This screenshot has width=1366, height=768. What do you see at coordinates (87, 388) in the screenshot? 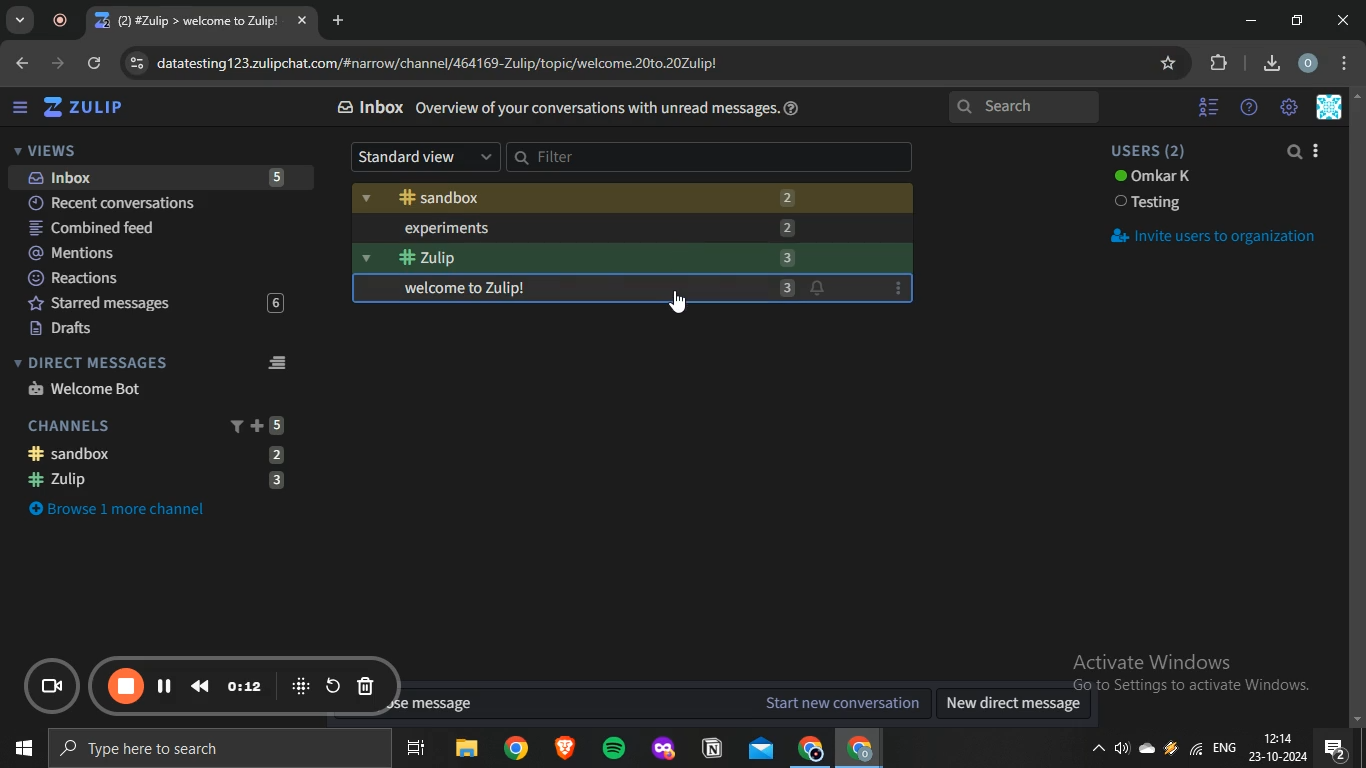
I see `welcome bot` at bounding box center [87, 388].